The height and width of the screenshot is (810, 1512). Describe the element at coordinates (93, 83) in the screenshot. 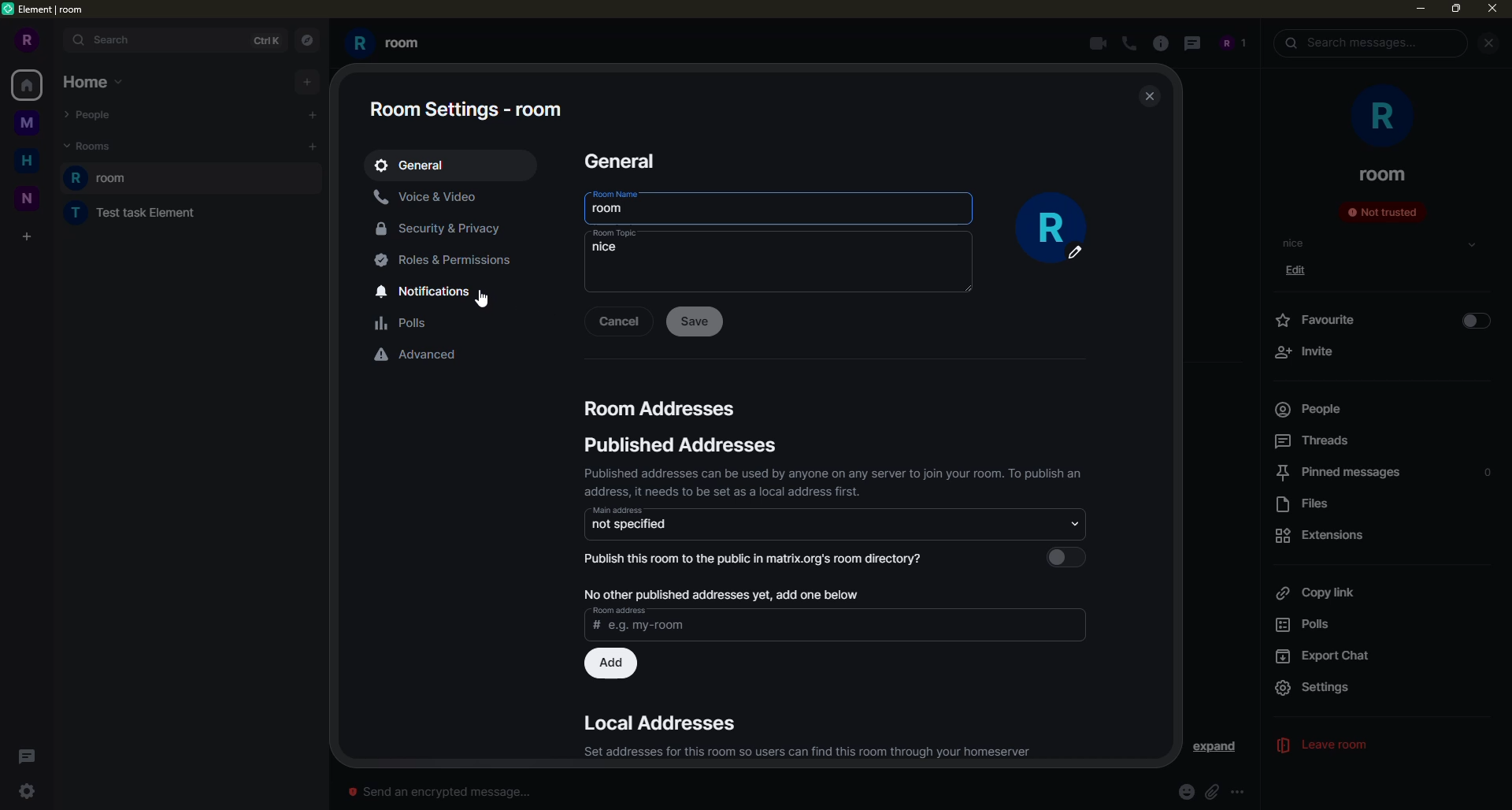

I see `home` at that location.